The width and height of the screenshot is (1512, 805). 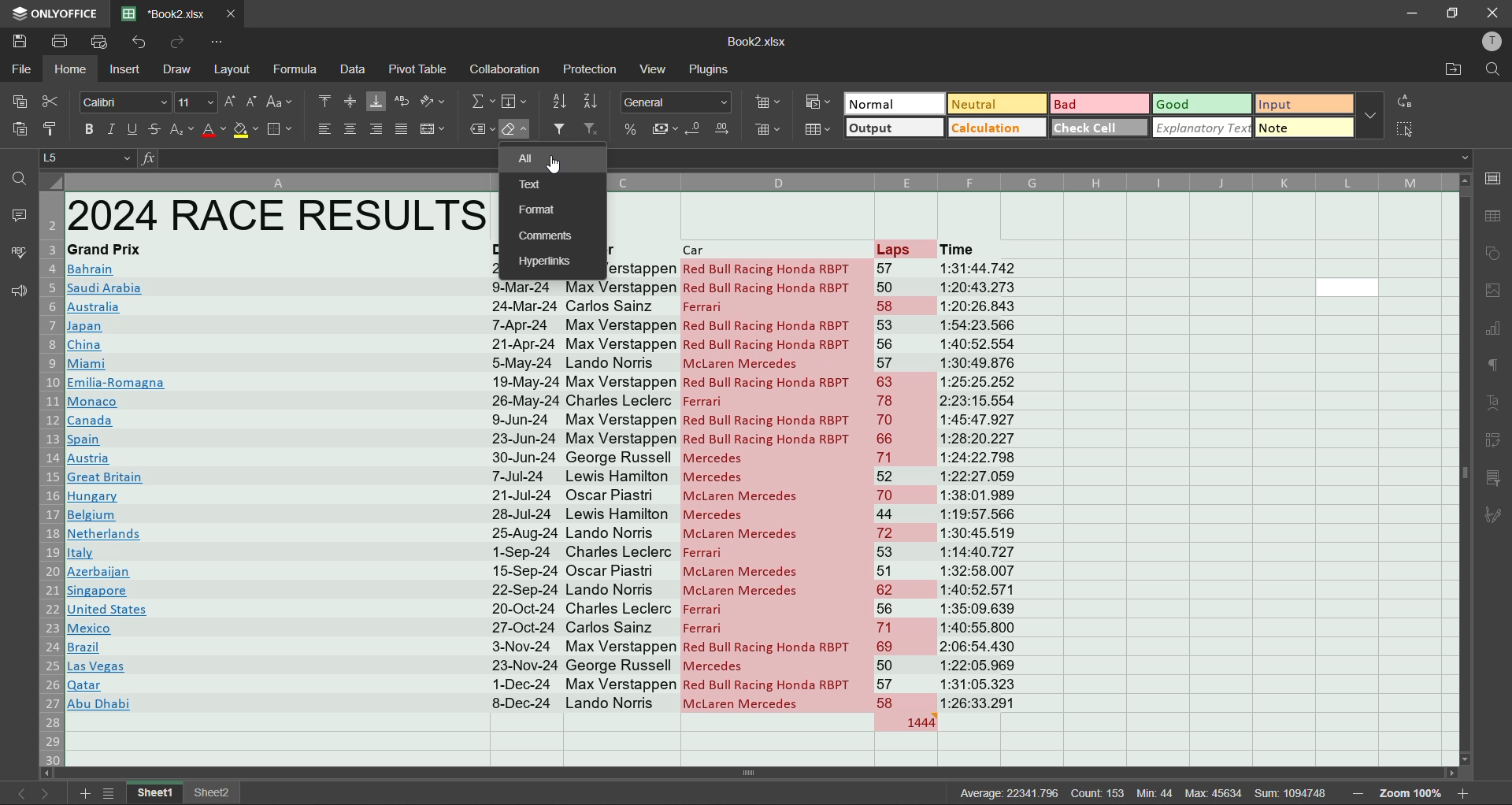 What do you see at coordinates (1492, 217) in the screenshot?
I see `table` at bounding box center [1492, 217].